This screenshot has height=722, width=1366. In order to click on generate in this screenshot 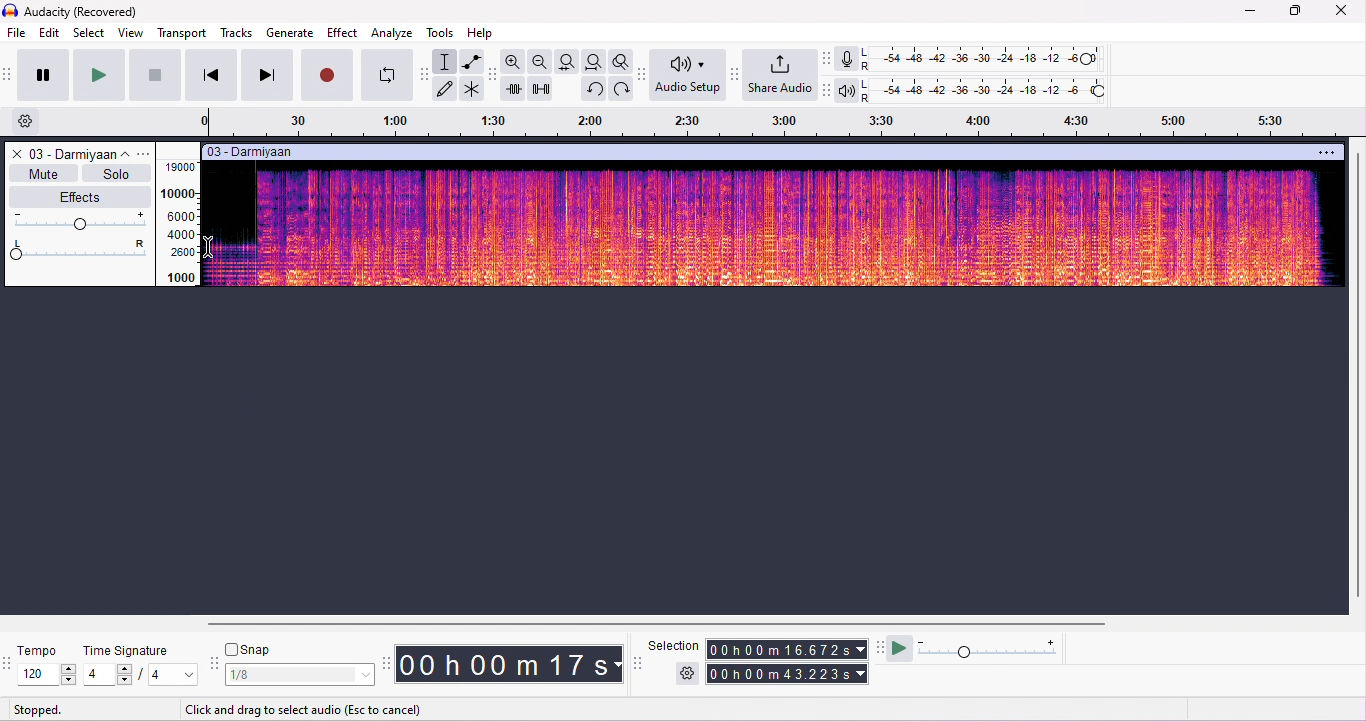, I will do `click(291, 33)`.